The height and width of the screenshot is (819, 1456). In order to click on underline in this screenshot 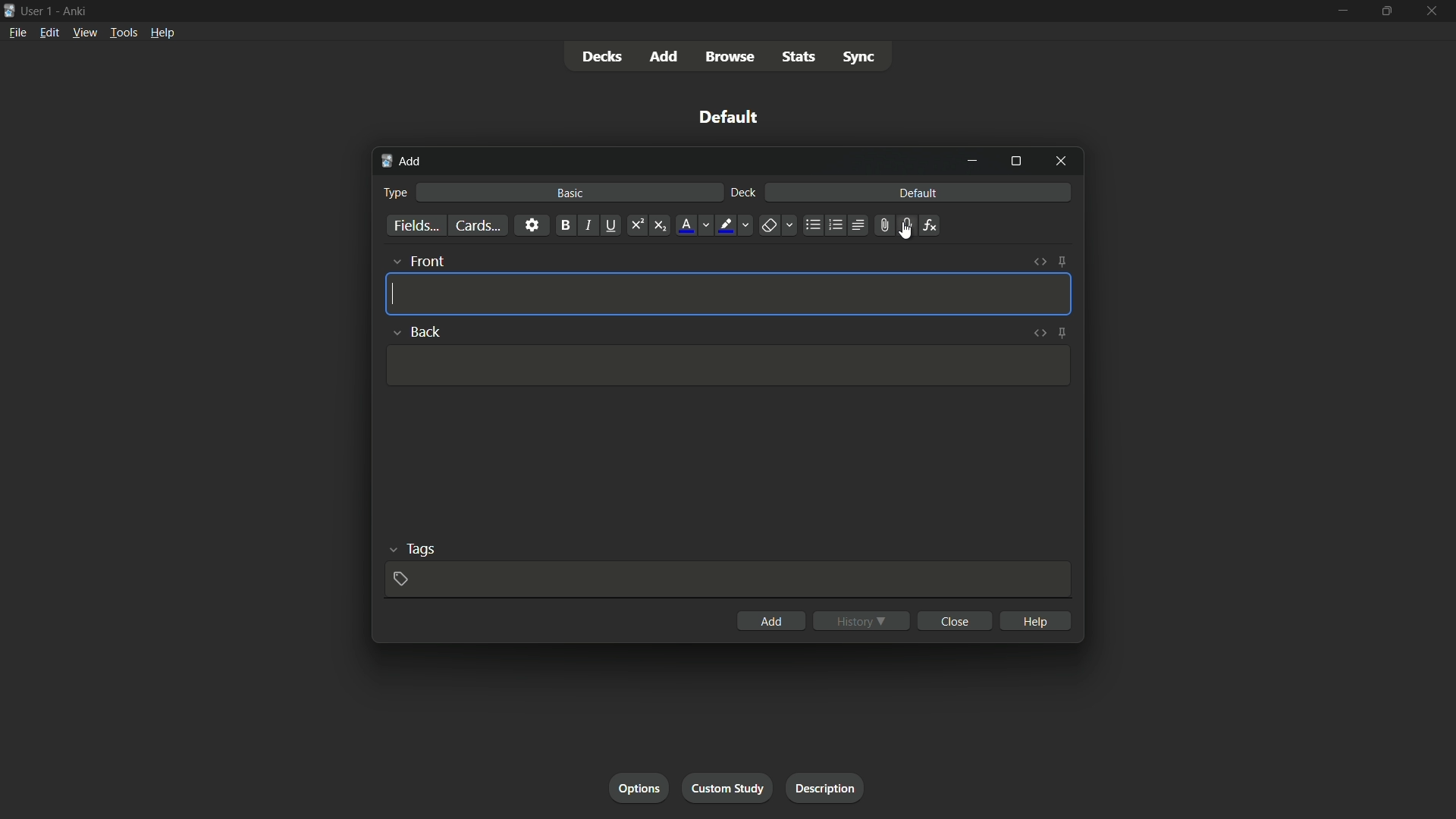, I will do `click(613, 225)`.